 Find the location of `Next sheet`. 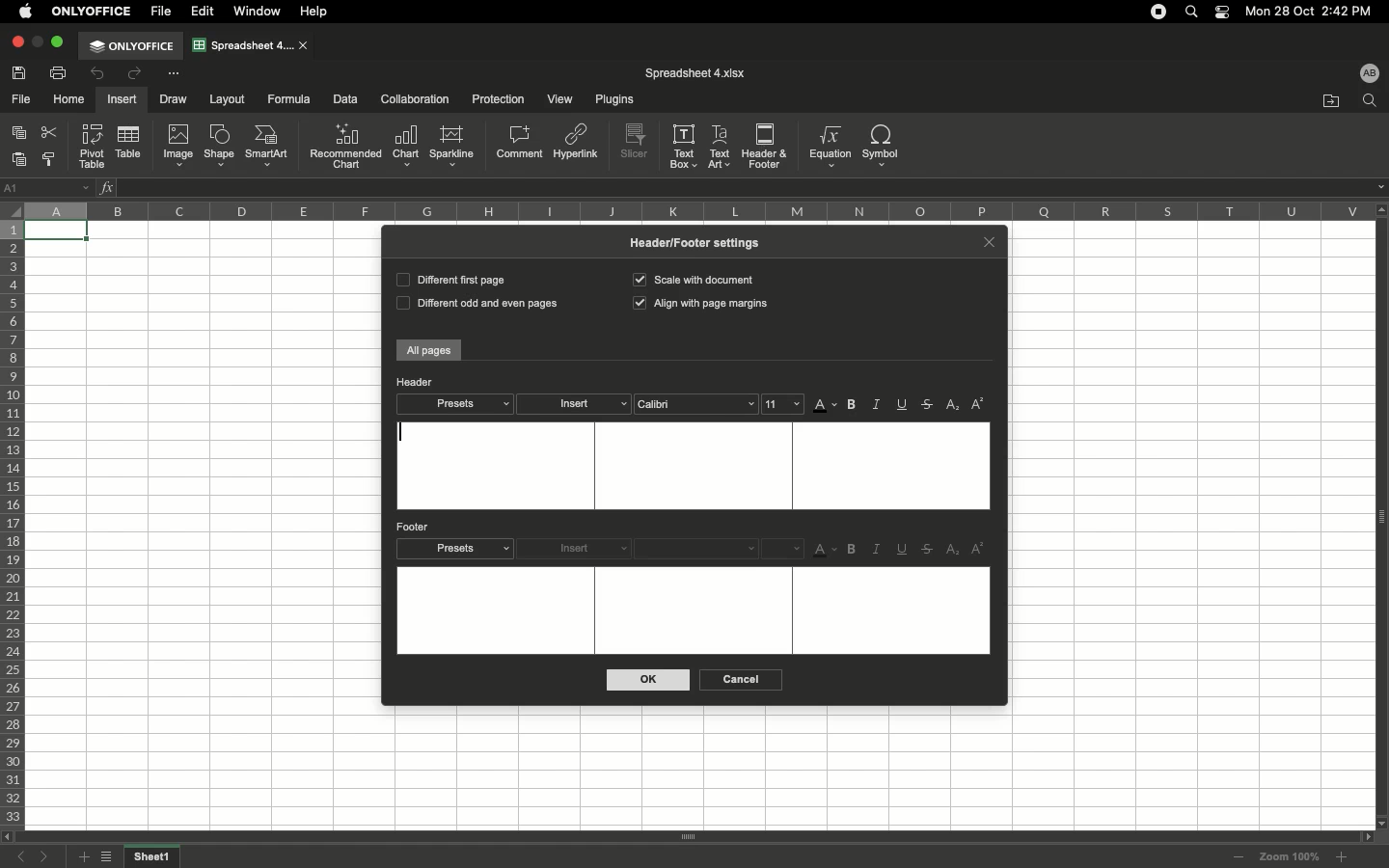

Next sheet is located at coordinates (49, 857).